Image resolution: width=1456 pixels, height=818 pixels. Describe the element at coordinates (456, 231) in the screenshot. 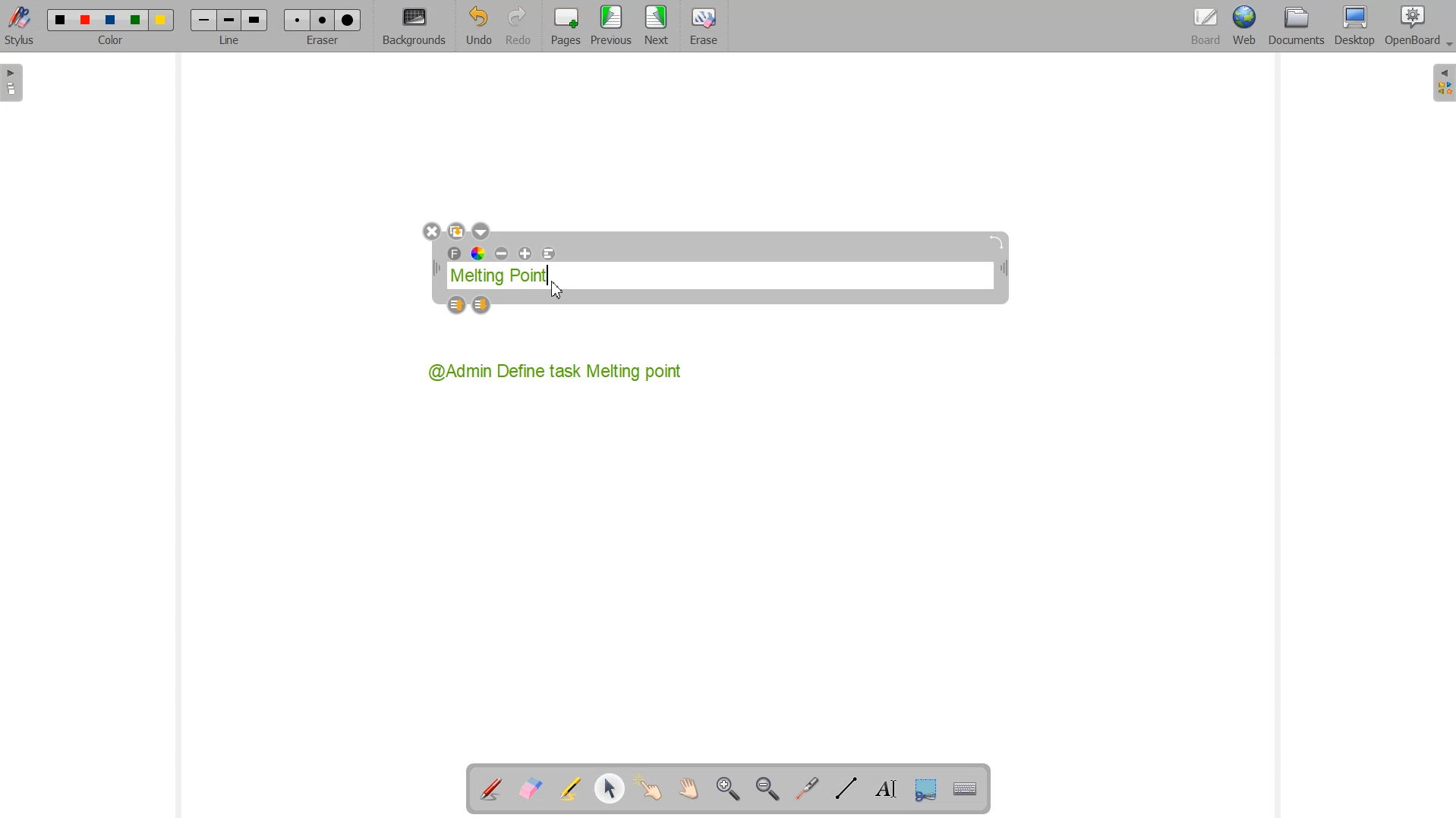

I see `Duplicate` at that location.